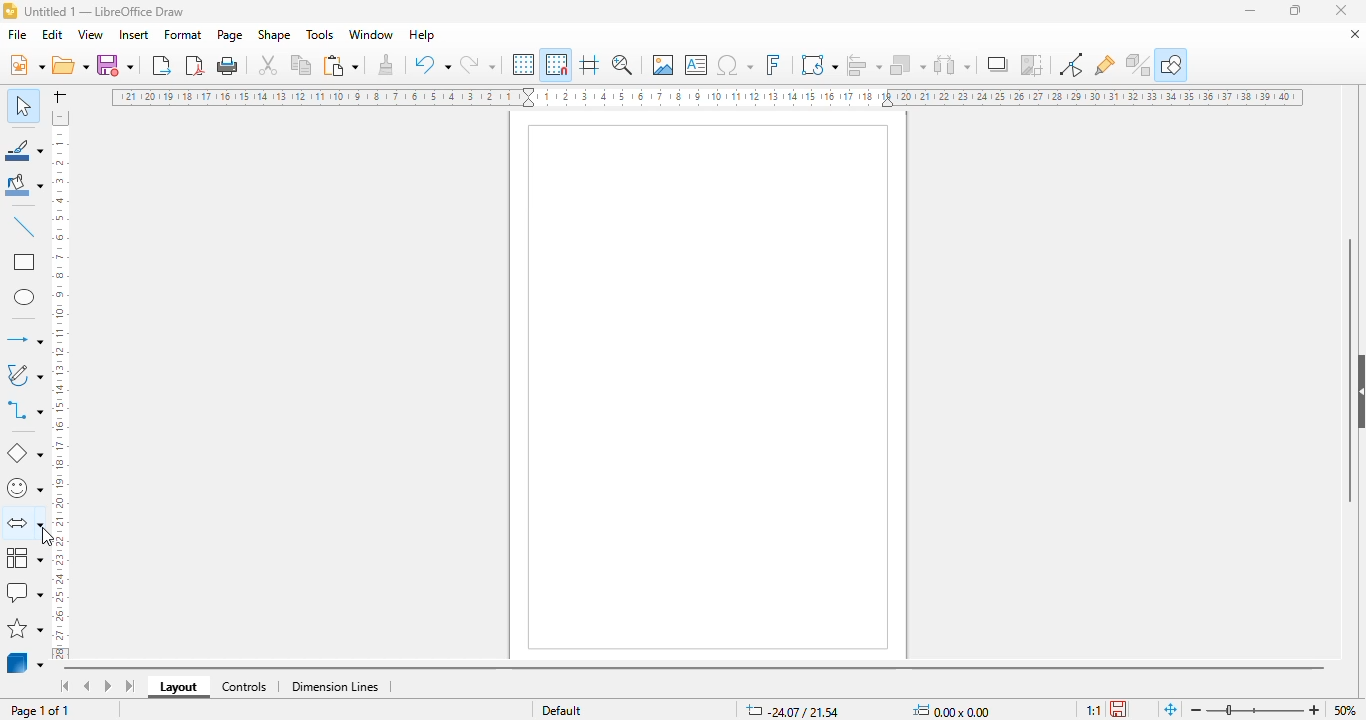 The height and width of the screenshot is (720, 1366). What do you see at coordinates (274, 34) in the screenshot?
I see `shape` at bounding box center [274, 34].